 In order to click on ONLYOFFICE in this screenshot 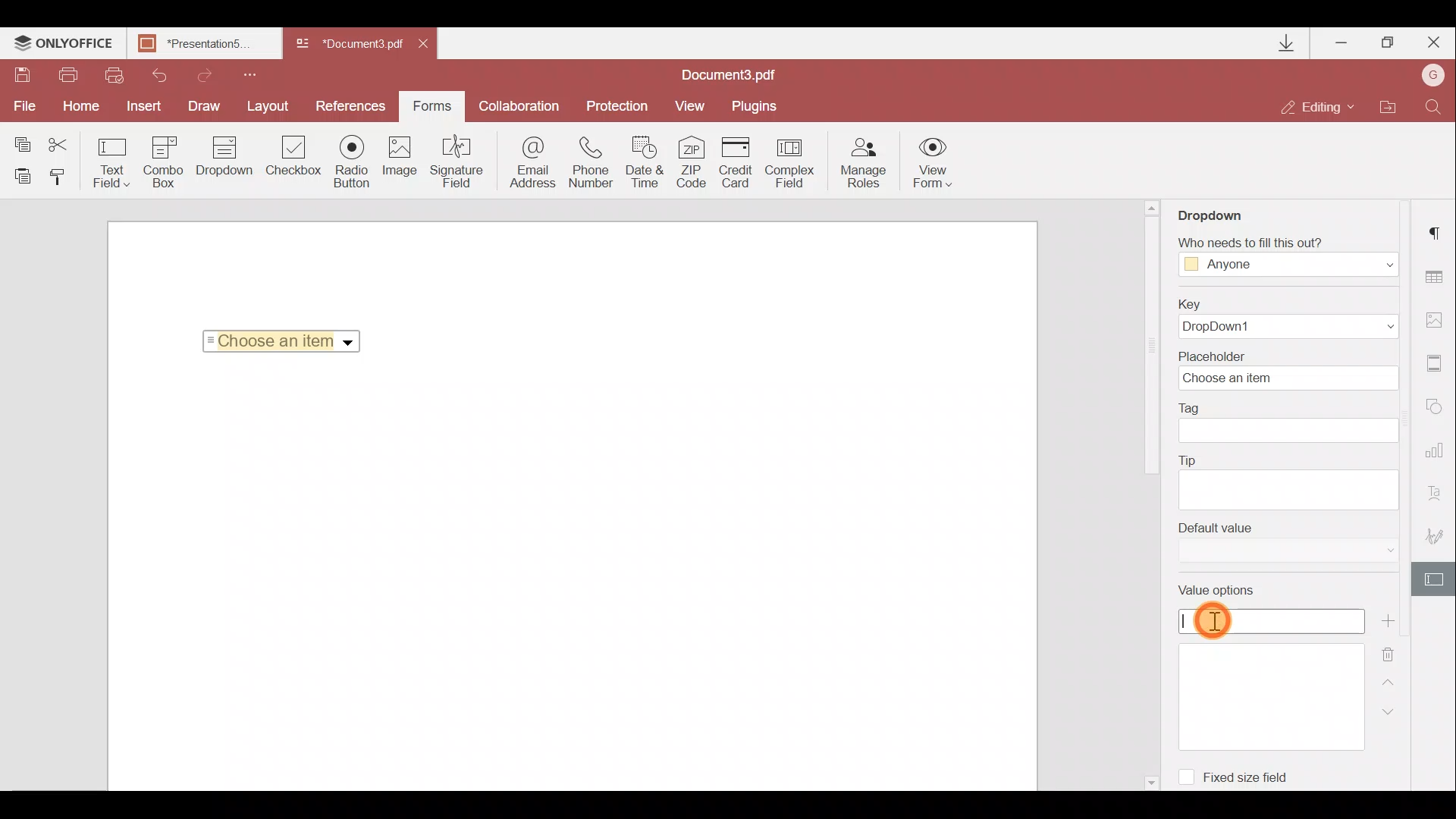, I will do `click(64, 45)`.